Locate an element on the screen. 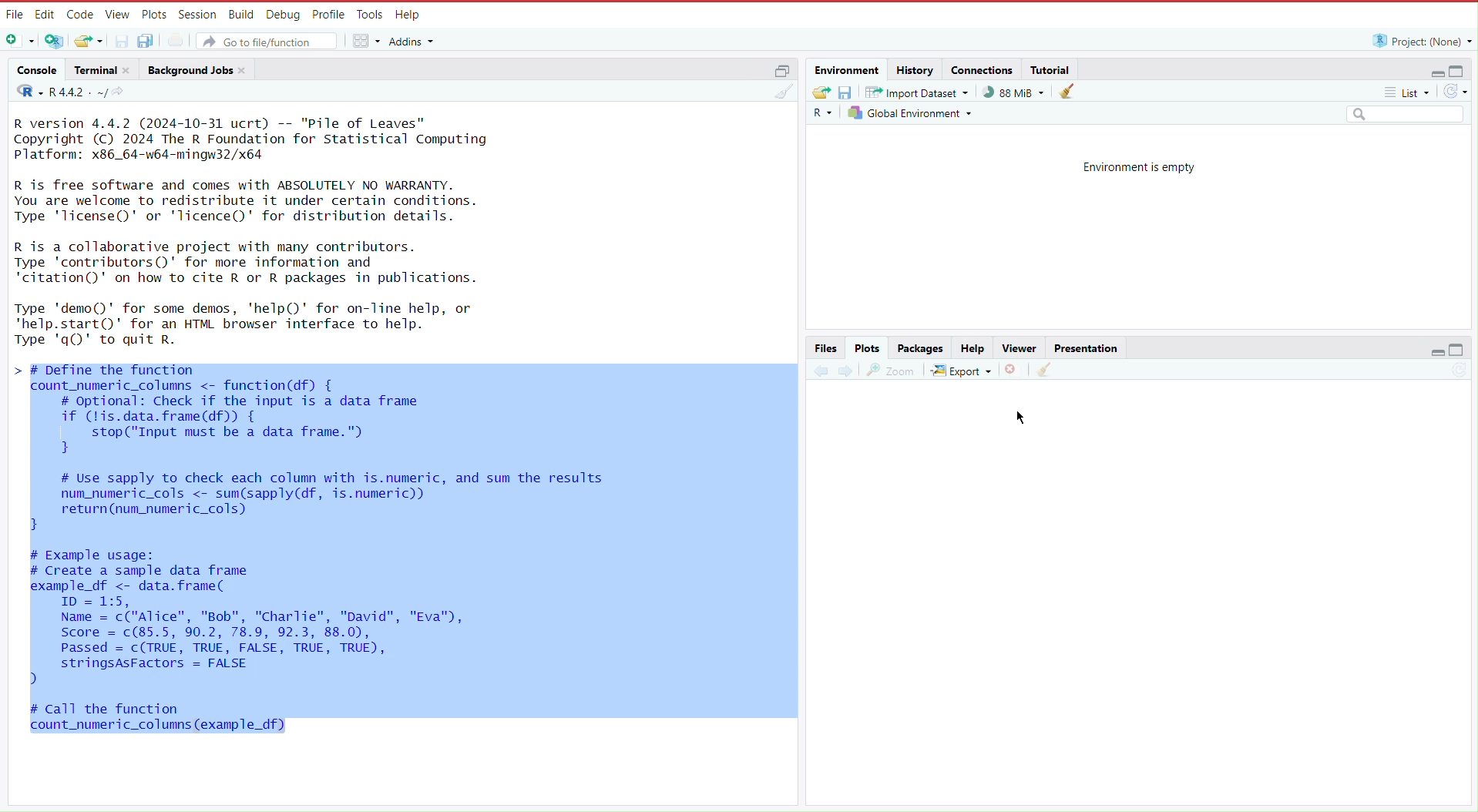  Maximize is located at coordinates (1459, 70).